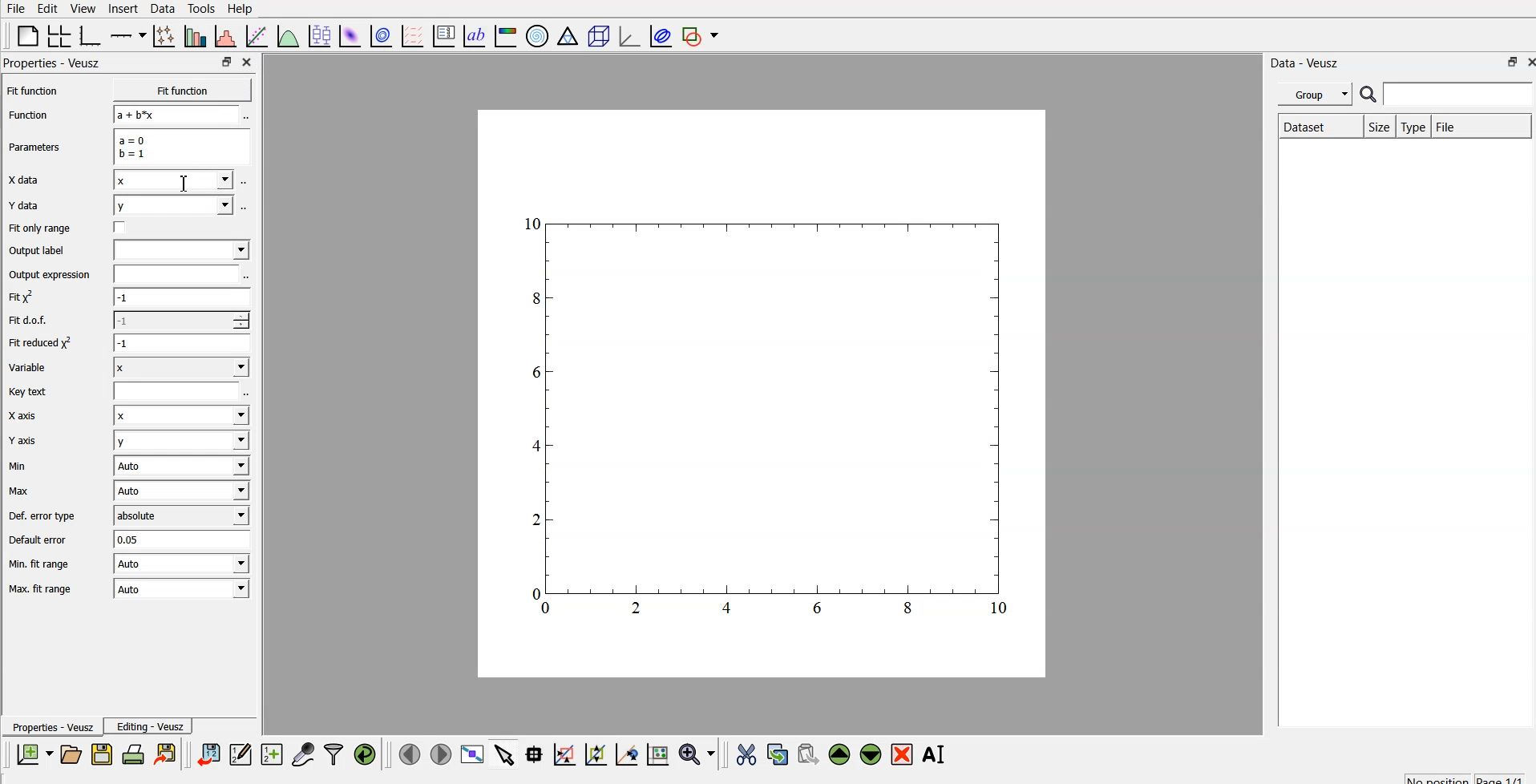 This screenshot has height=784, width=1536. What do you see at coordinates (39, 564) in the screenshot?
I see `| Min. fit range` at bounding box center [39, 564].